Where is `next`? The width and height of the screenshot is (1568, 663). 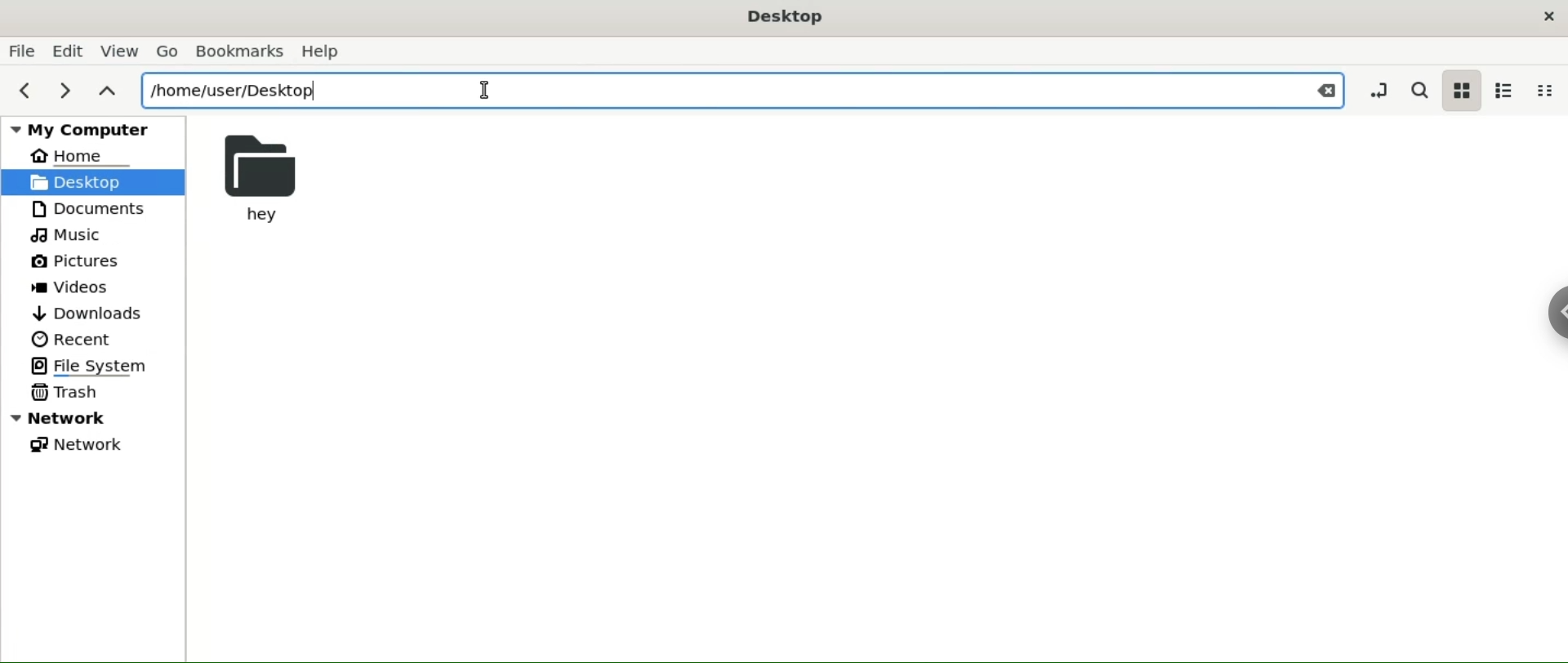
next is located at coordinates (61, 93).